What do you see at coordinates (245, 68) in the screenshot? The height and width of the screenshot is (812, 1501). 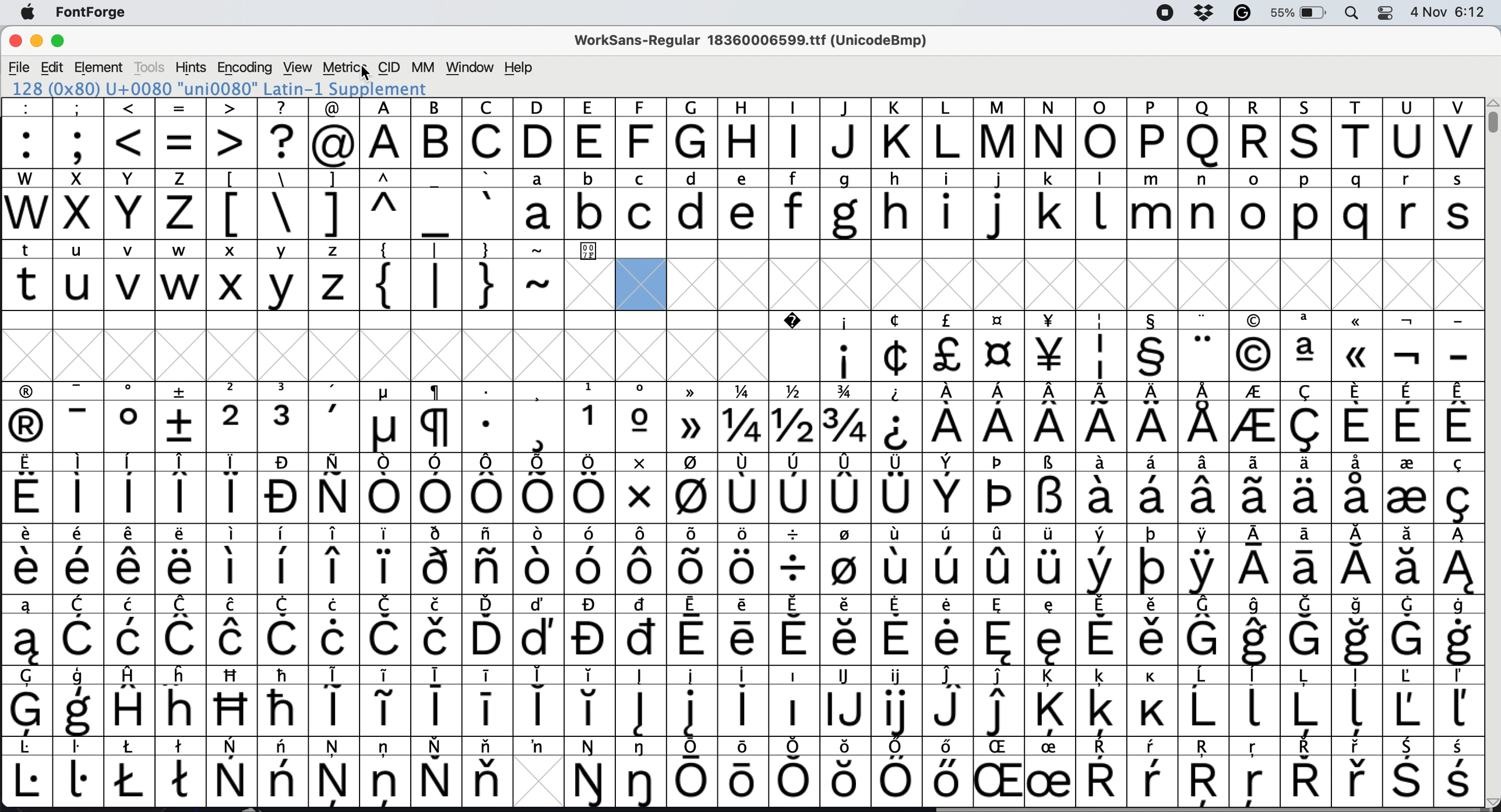 I see `Encoding` at bounding box center [245, 68].